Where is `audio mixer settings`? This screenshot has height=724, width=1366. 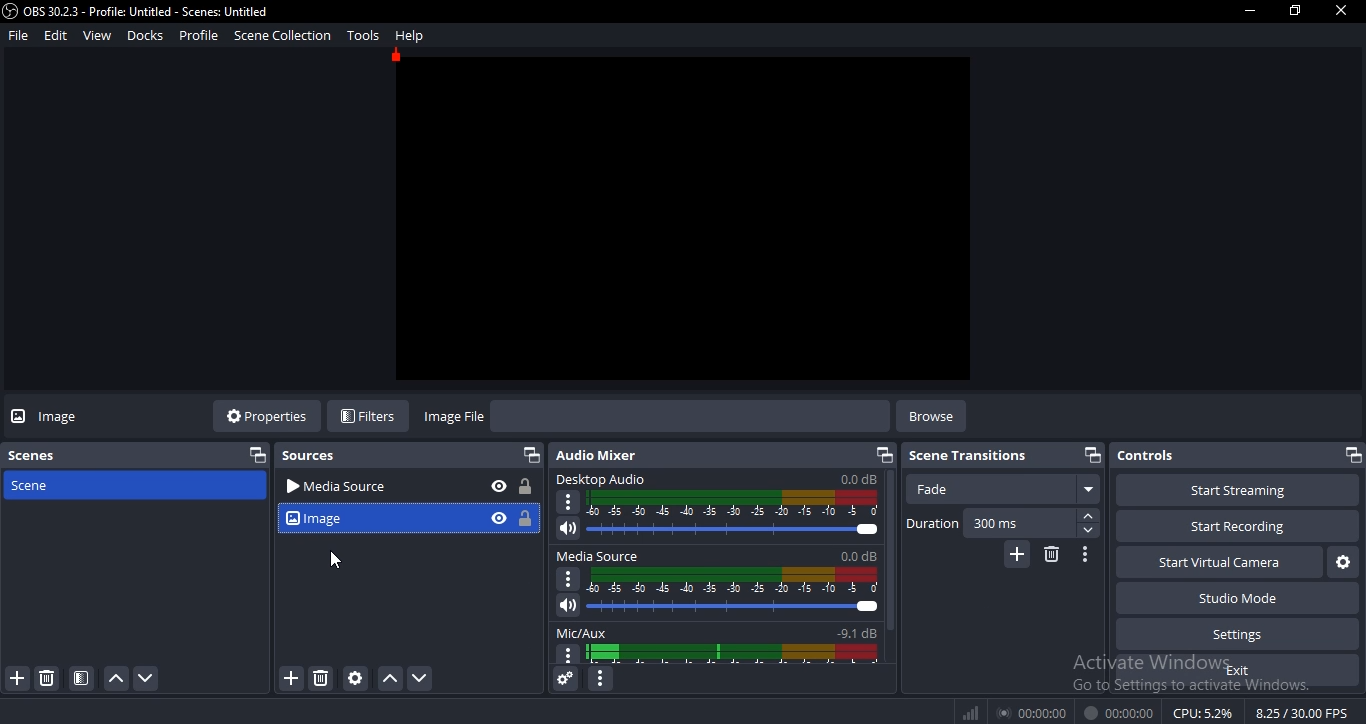 audio mixer settings is located at coordinates (565, 679).